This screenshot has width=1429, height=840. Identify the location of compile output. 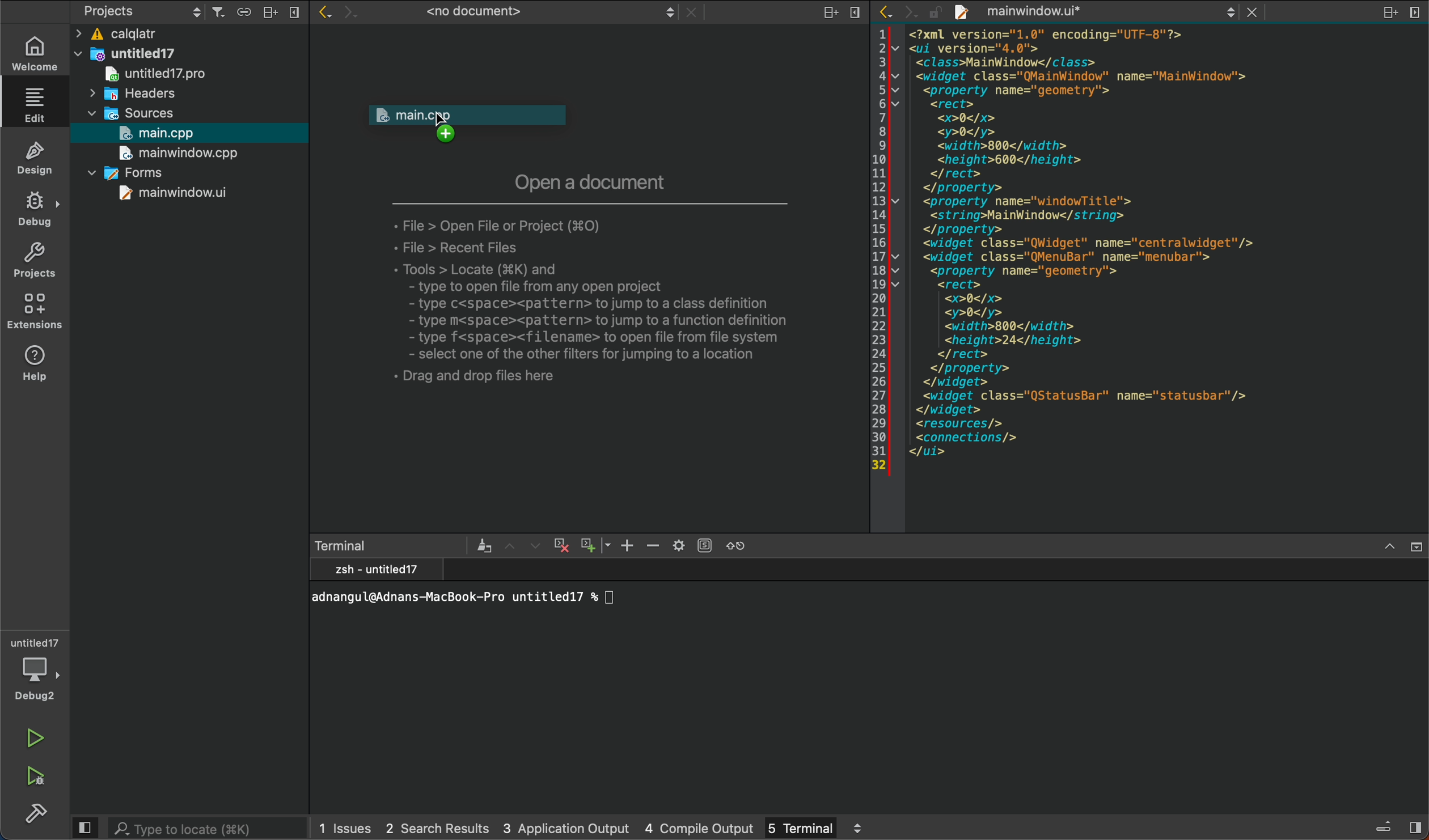
(701, 826).